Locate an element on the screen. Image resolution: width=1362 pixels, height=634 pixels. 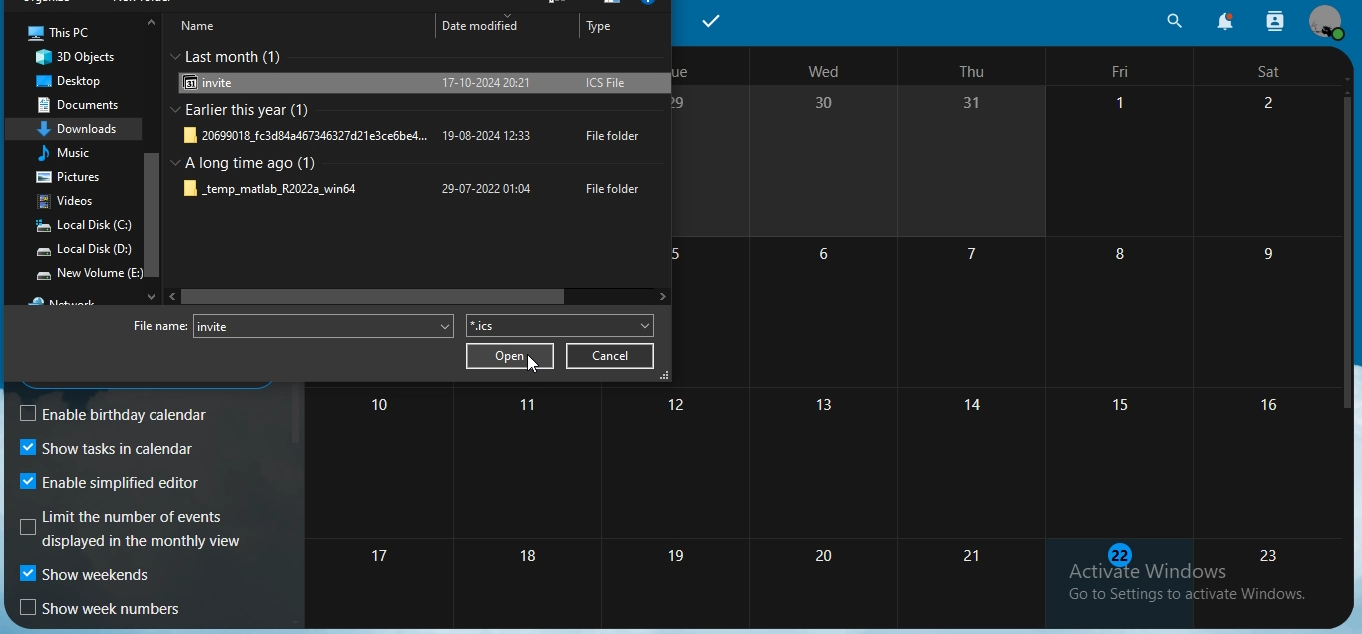
documents is located at coordinates (88, 105).